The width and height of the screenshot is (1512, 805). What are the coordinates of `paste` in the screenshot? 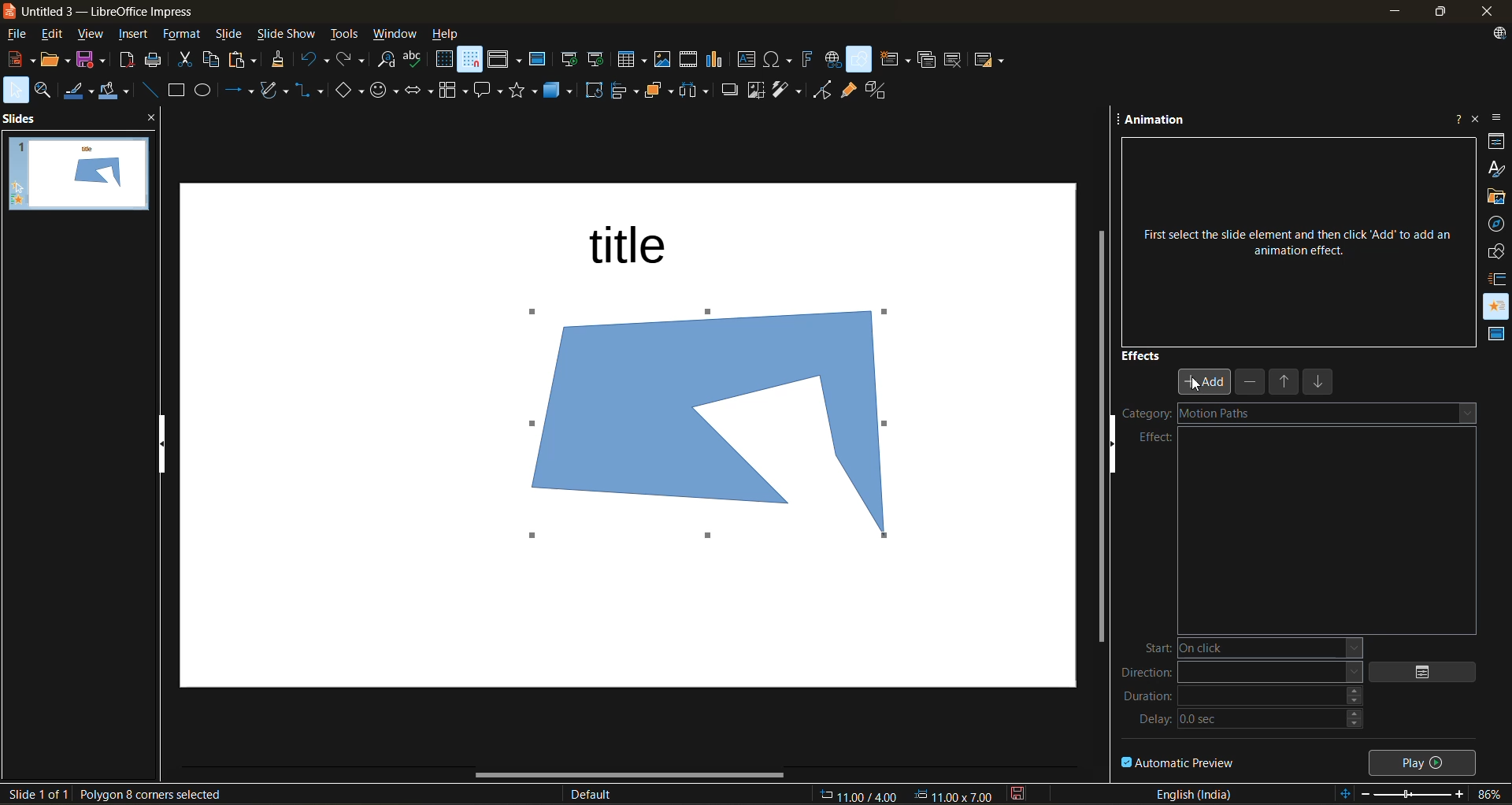 It's located at (244, 59).